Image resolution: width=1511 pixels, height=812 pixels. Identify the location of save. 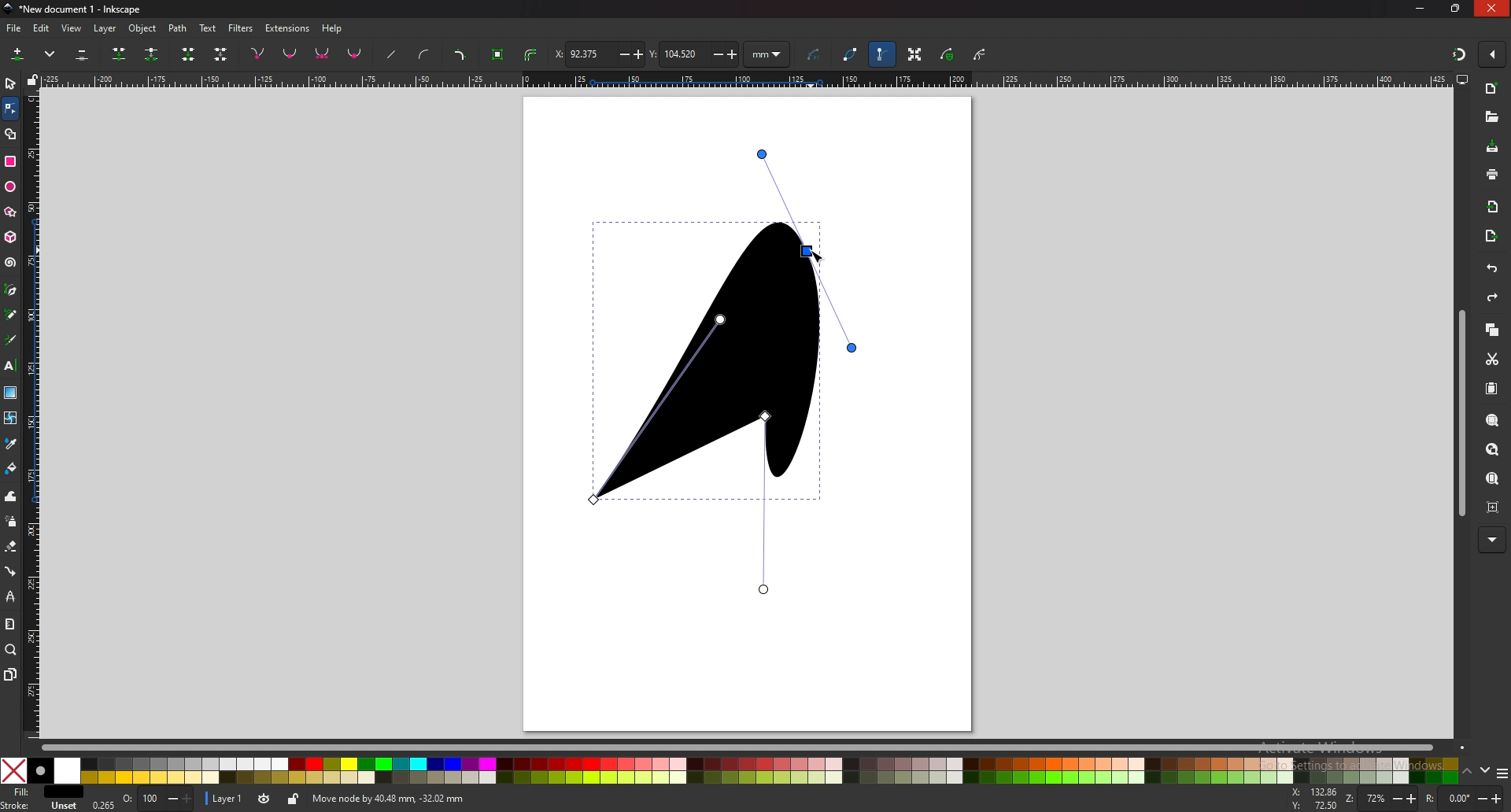
(1494, 148).